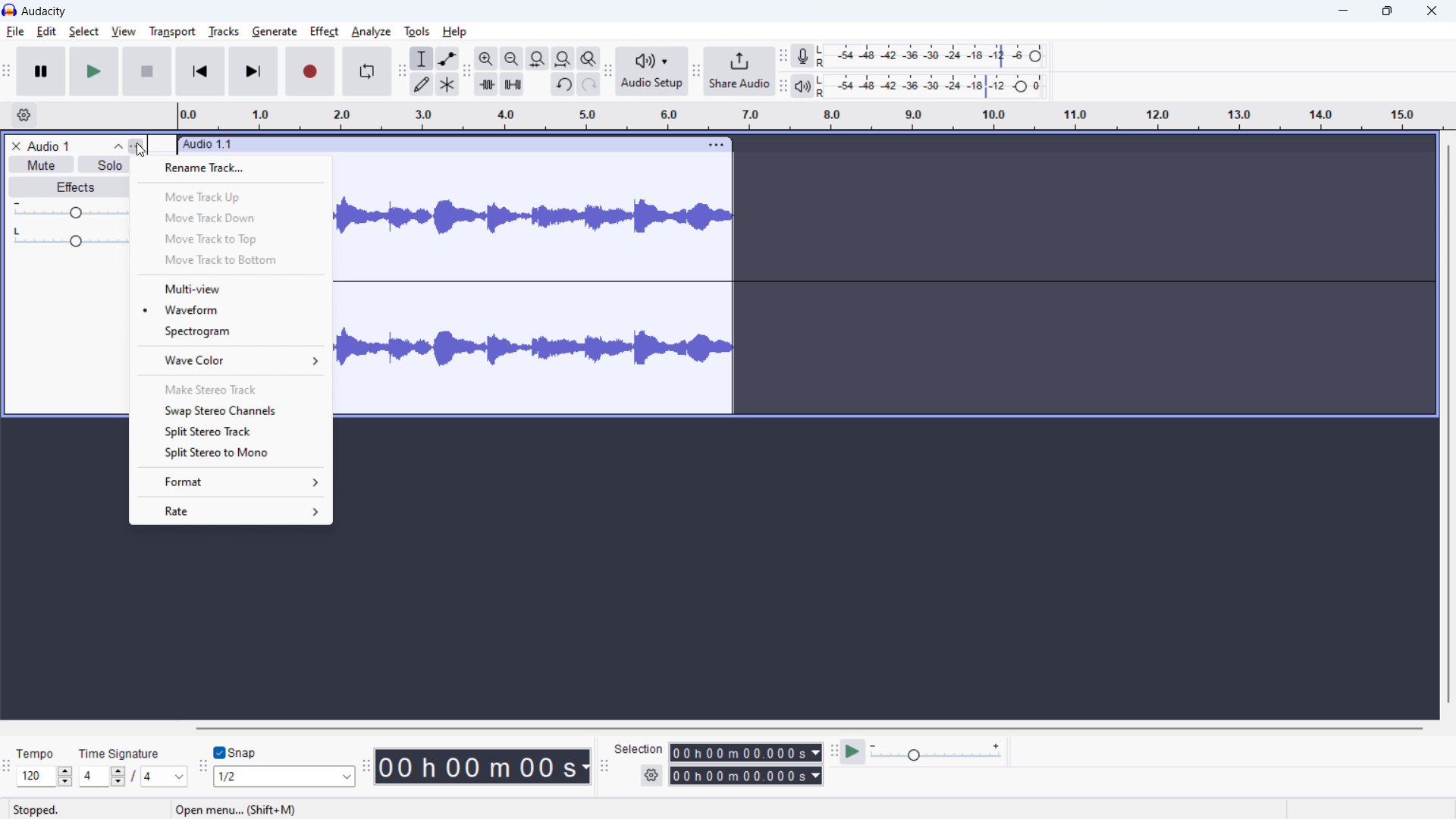 The height and width of the screenshot is (819, 1456). Describe the element at coordinates (449, 58) in the screenshot. I see `envelop tool` at that location.